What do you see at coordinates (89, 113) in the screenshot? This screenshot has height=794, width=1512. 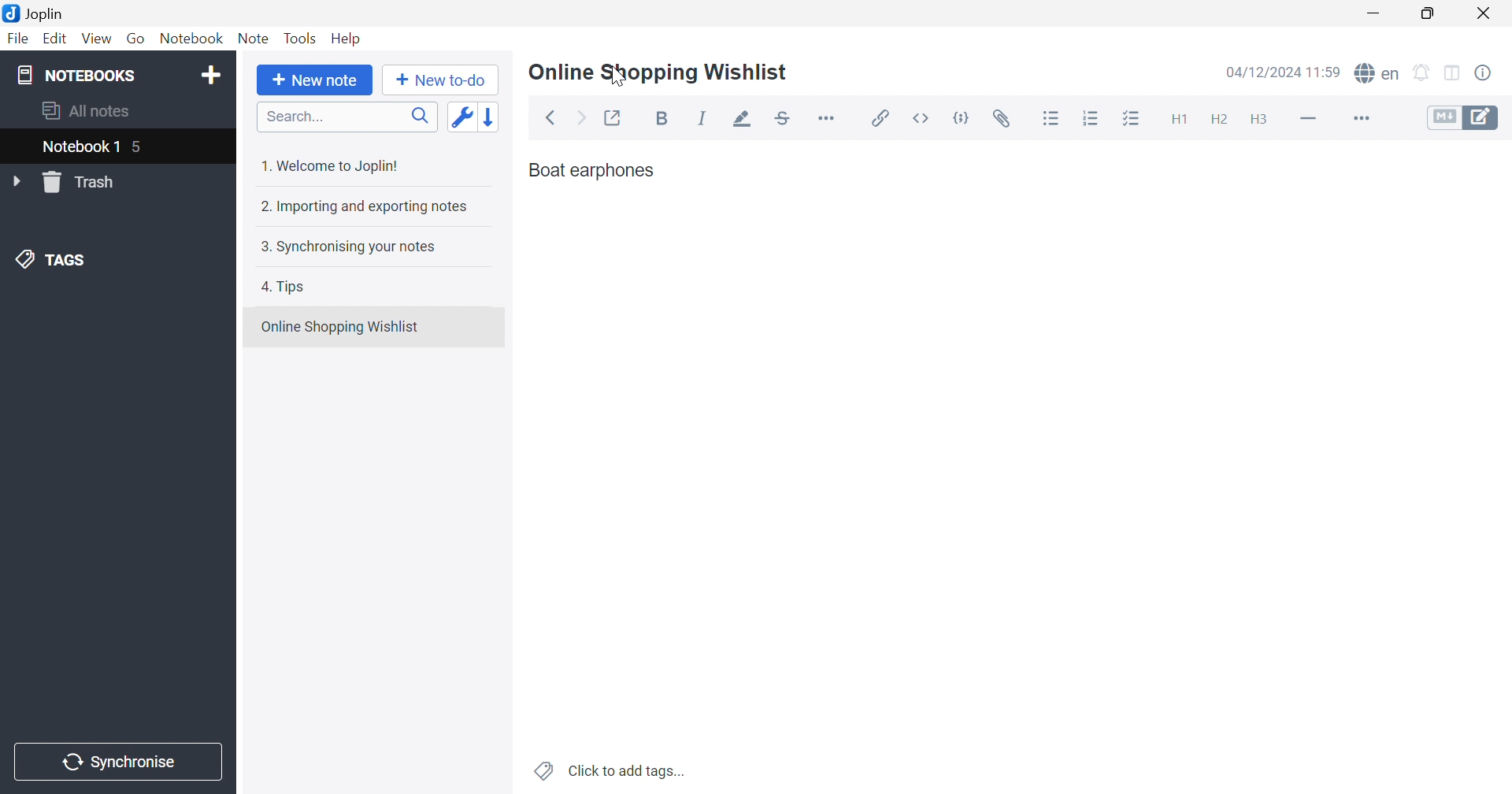 I see `All notes` at bounding box center [89, 113].